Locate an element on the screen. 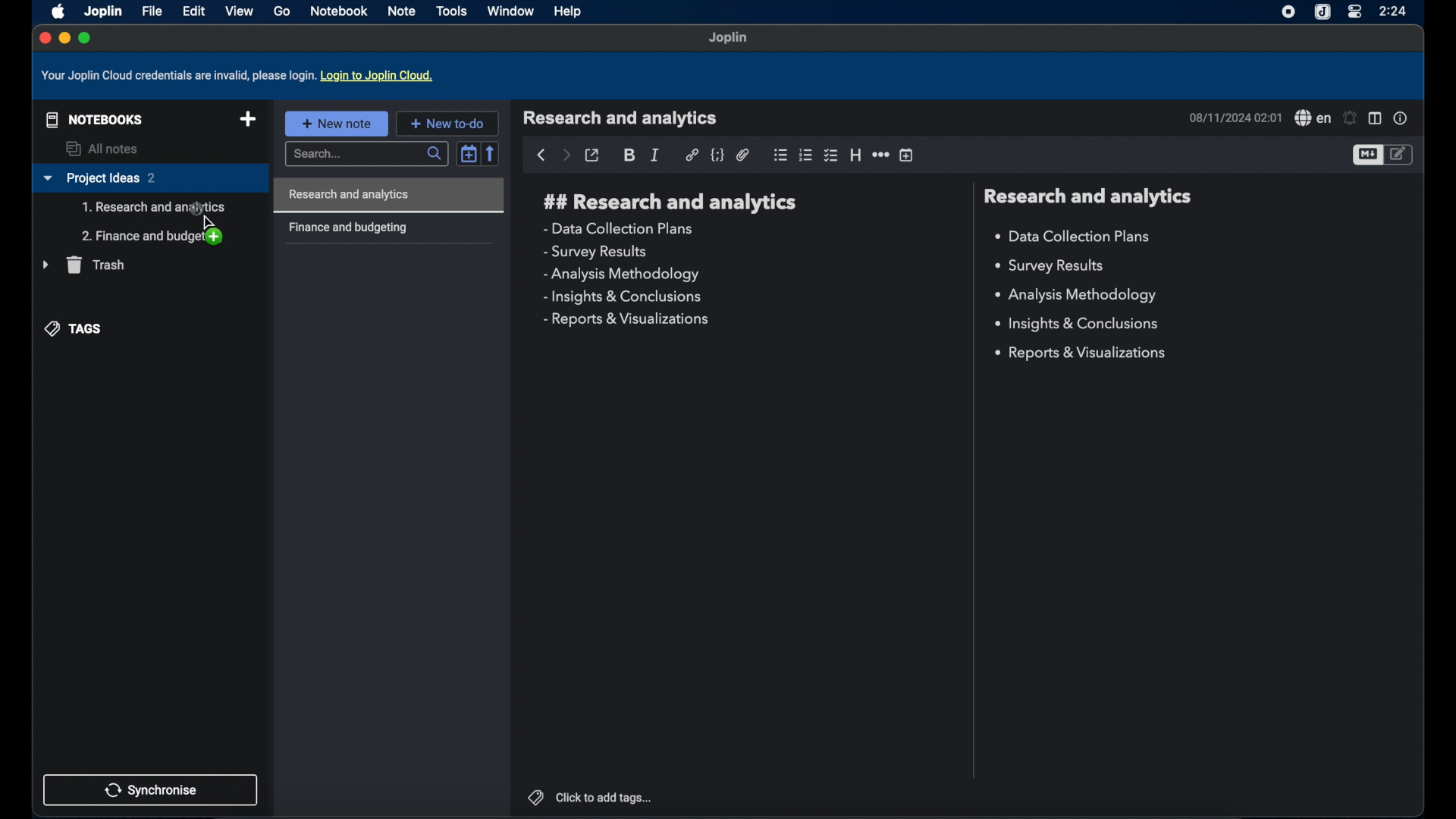 This screenshot has height=819, width=1456. 2:24 (time) is located at coordinates (1395, 11).